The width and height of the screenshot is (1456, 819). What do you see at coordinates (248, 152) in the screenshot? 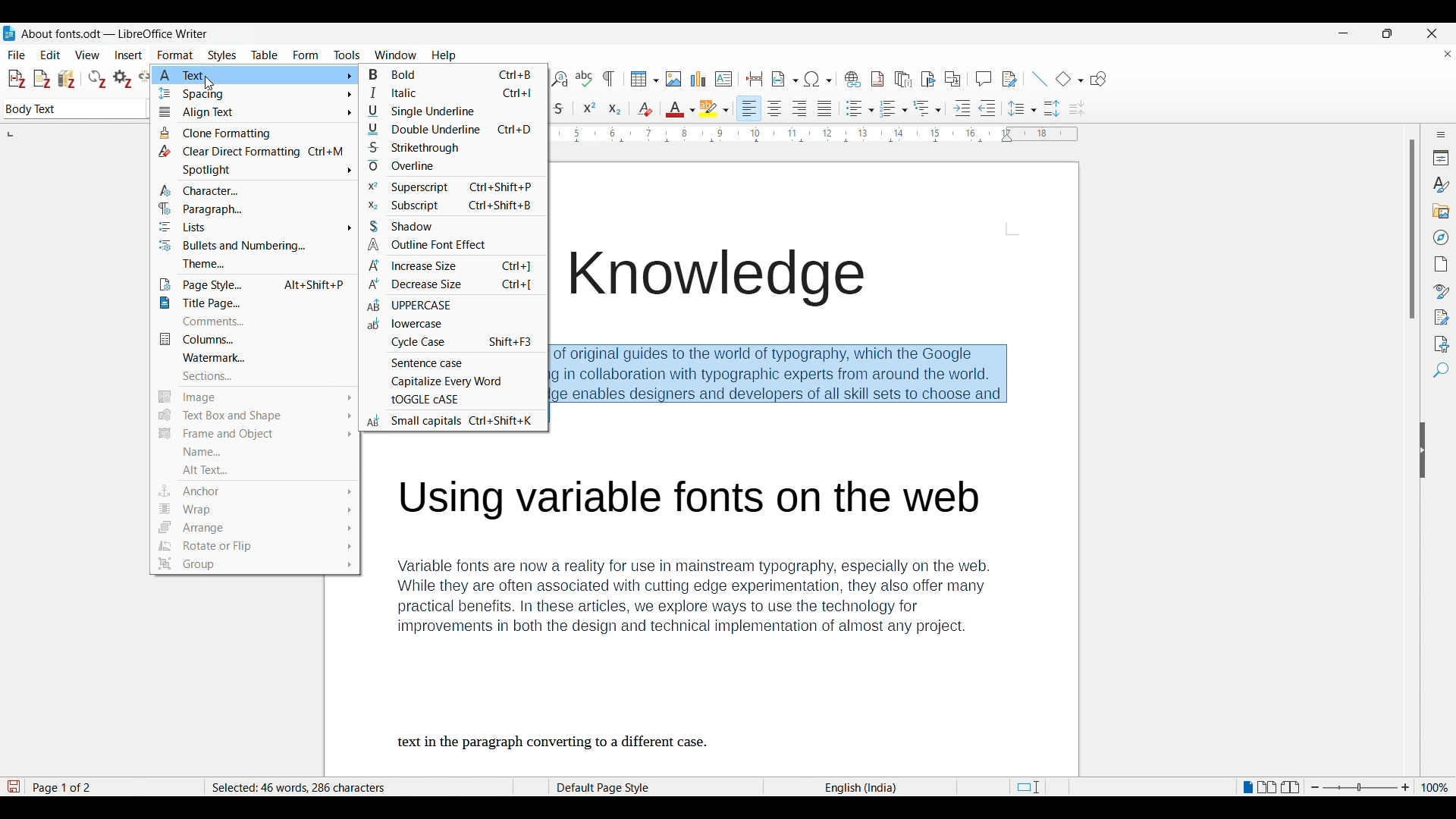
I see `Clear Direct Formatting` at bounding box center [248, 152].